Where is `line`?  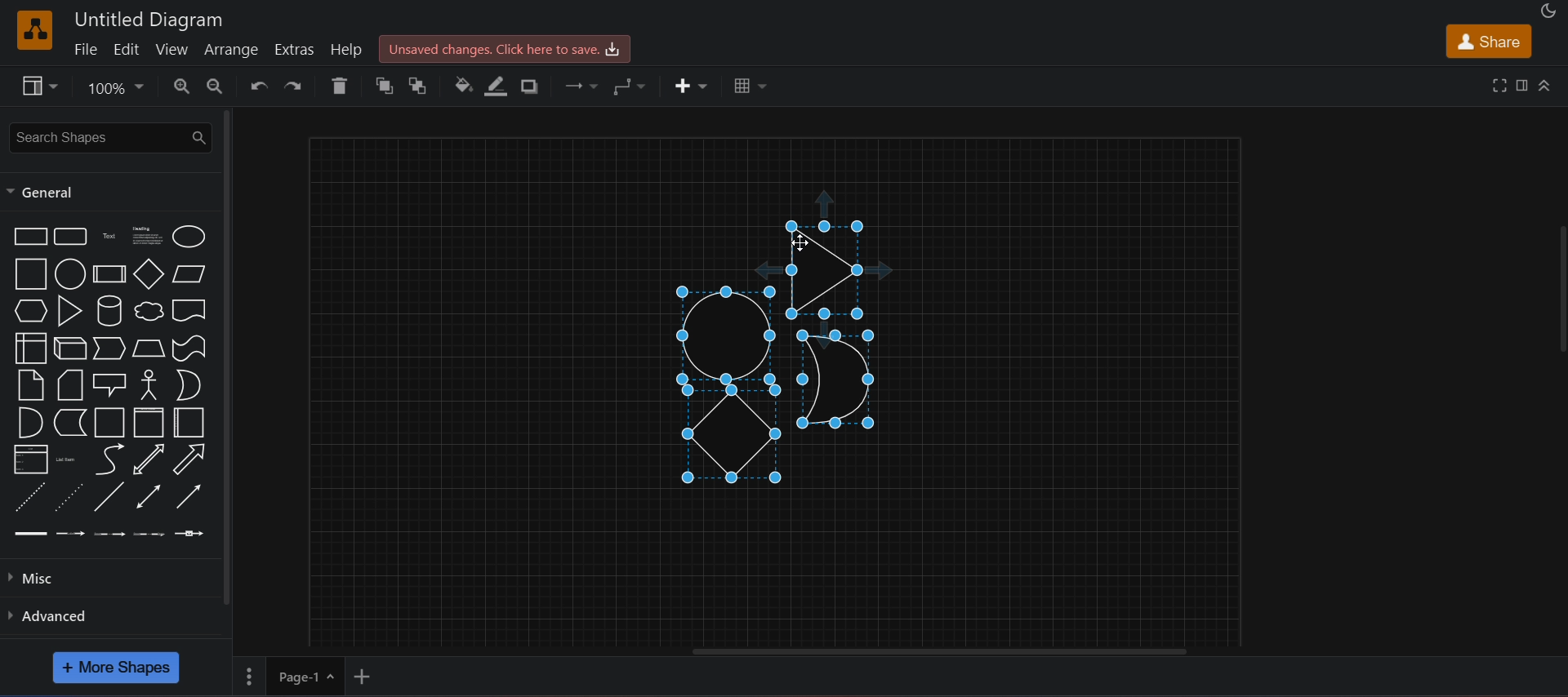
line is located at coordinates (111, 496).